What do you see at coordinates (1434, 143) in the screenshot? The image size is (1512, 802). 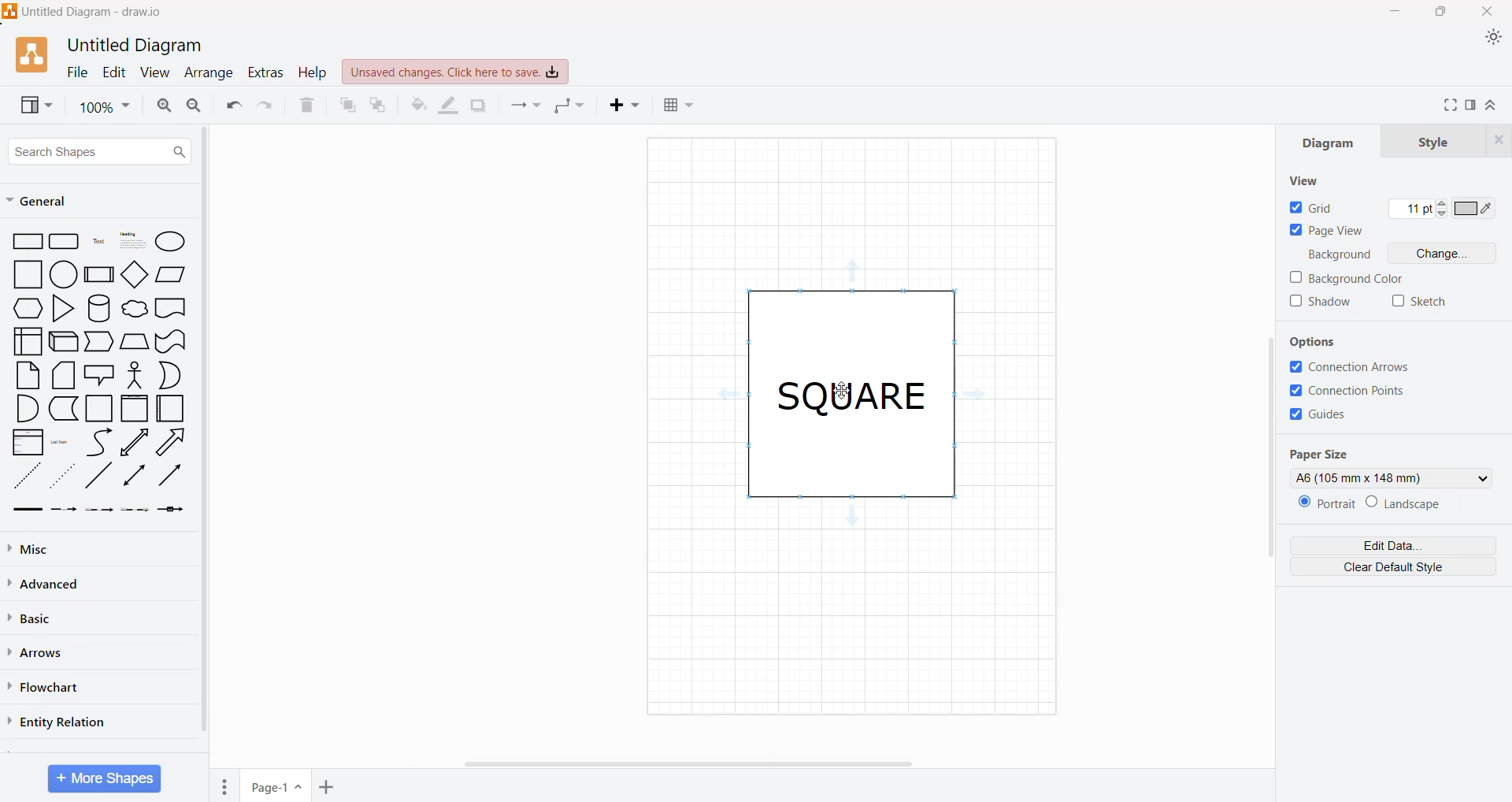 I see `Style` at bounding box center [1434, 143].